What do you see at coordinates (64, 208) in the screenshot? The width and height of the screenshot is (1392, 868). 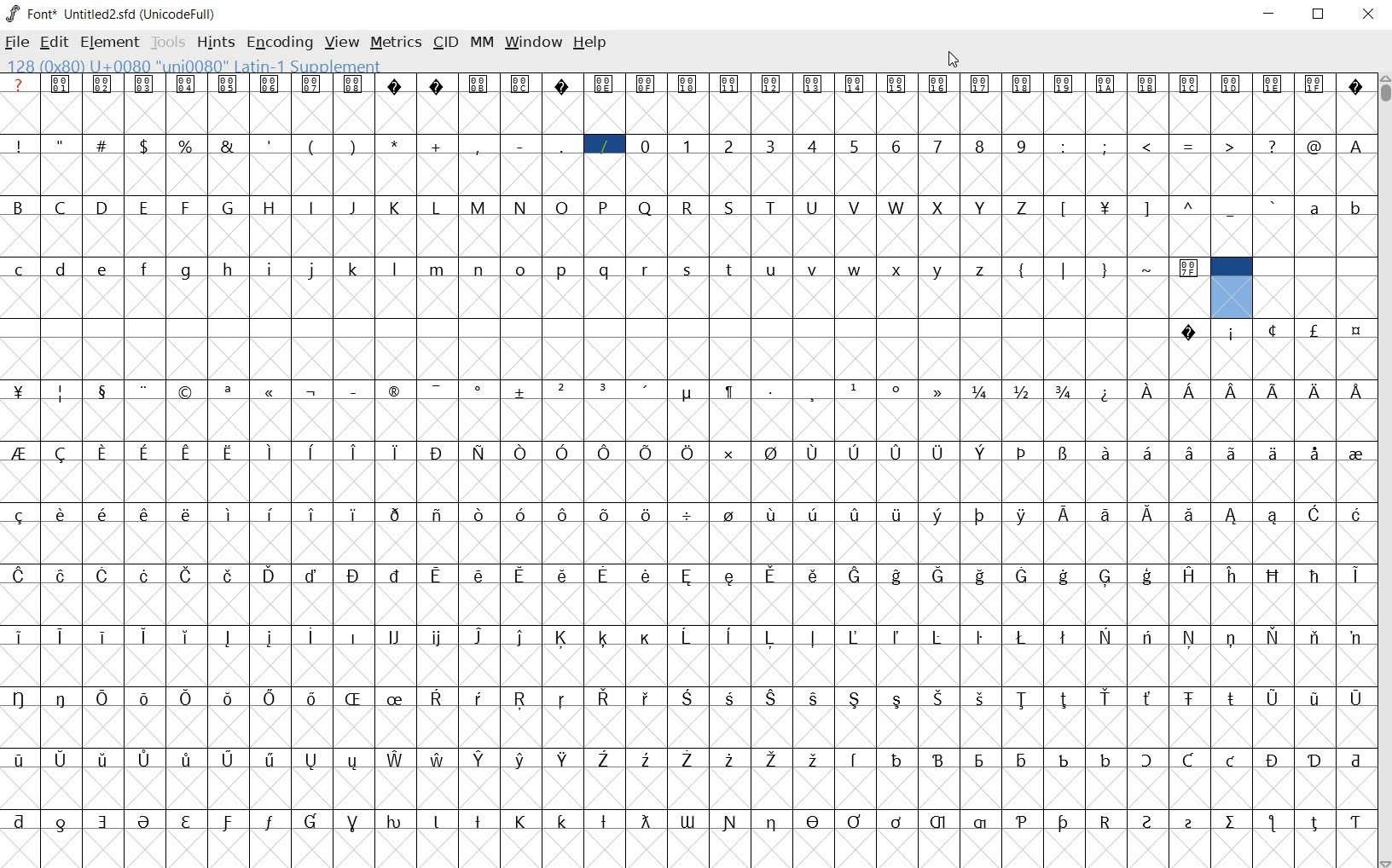 I see `C` at bounding box center [64, 208].